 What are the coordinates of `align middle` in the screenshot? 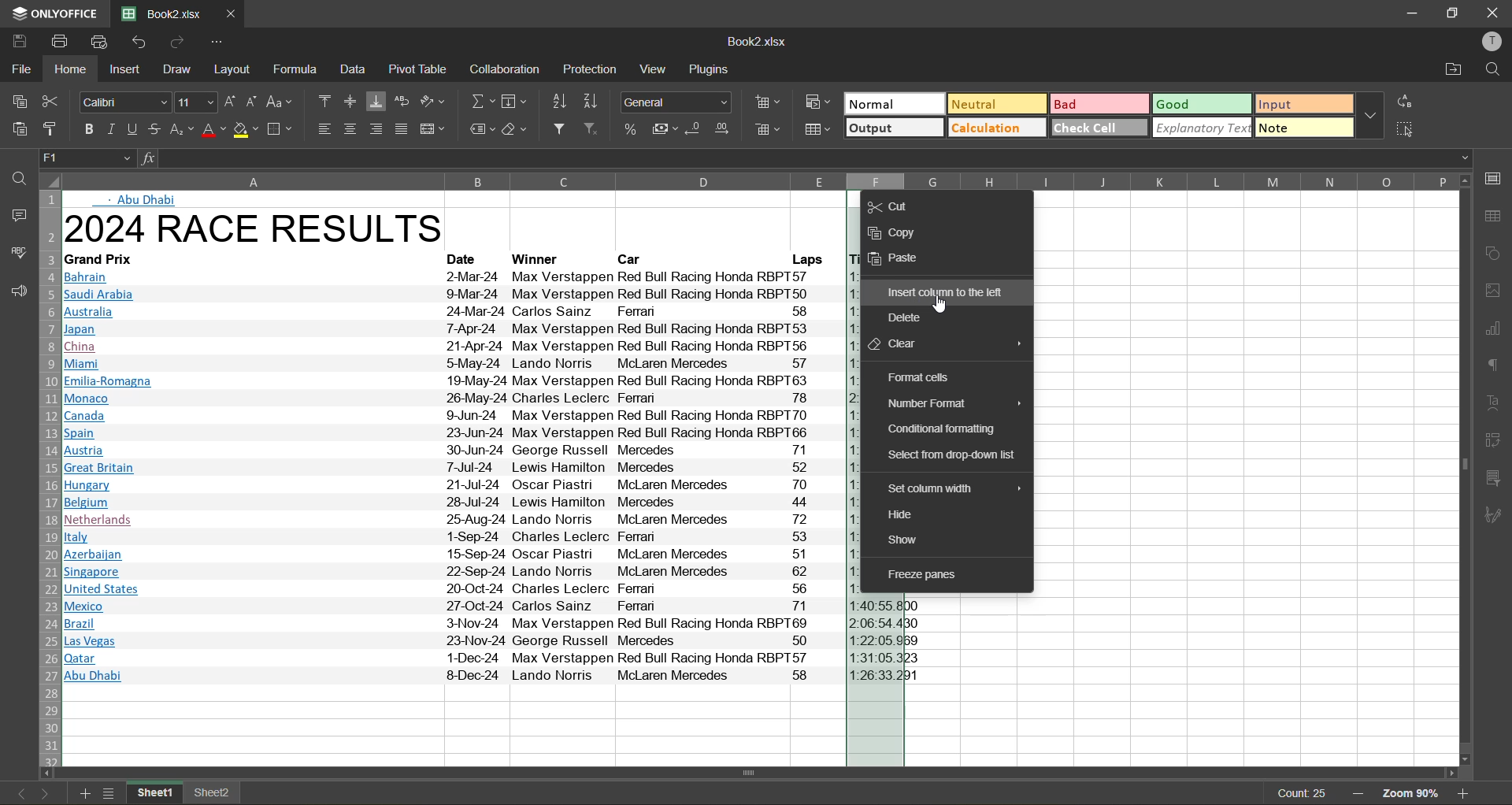 It's located at (350, 100).